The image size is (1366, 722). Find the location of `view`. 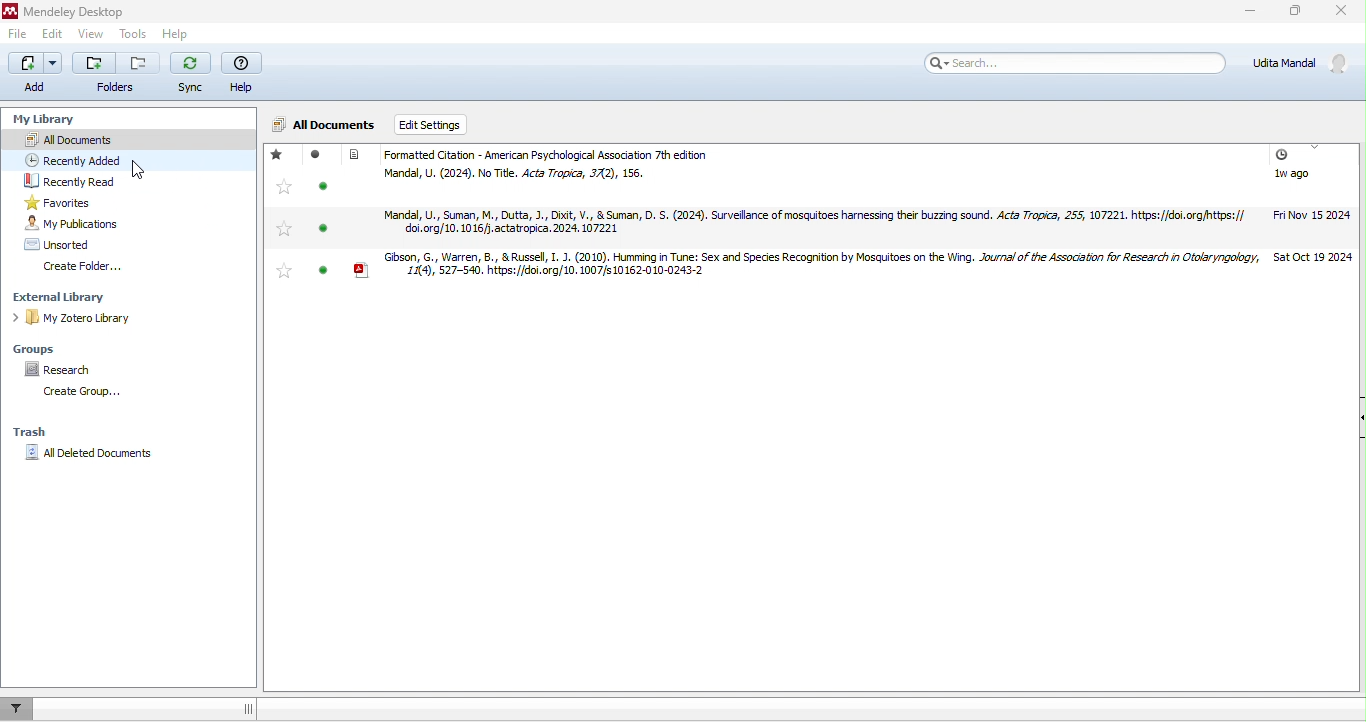

view is located at coordinates (91, 34).